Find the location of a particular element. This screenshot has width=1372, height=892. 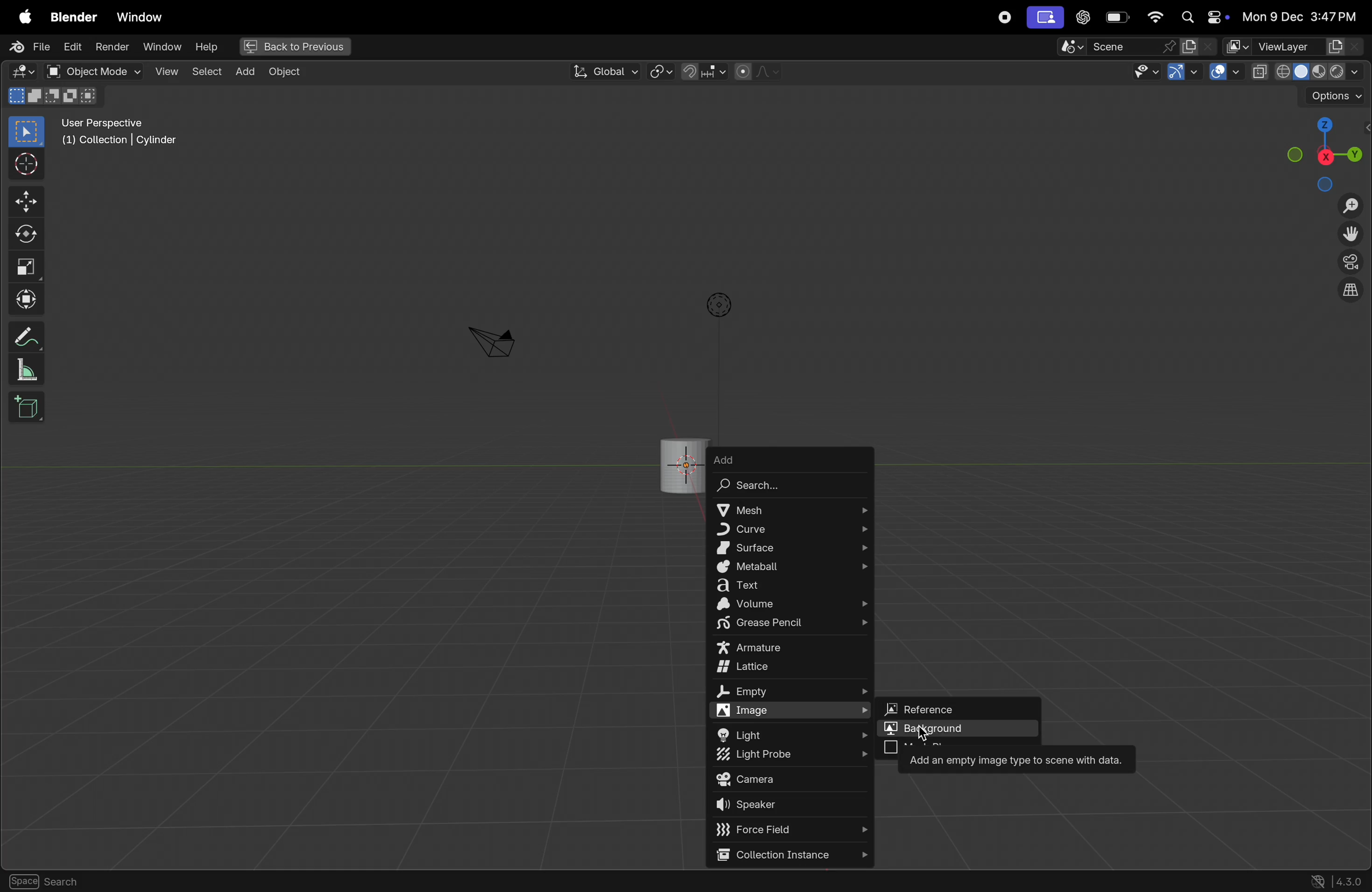

object is located at coordinates (178, 881).